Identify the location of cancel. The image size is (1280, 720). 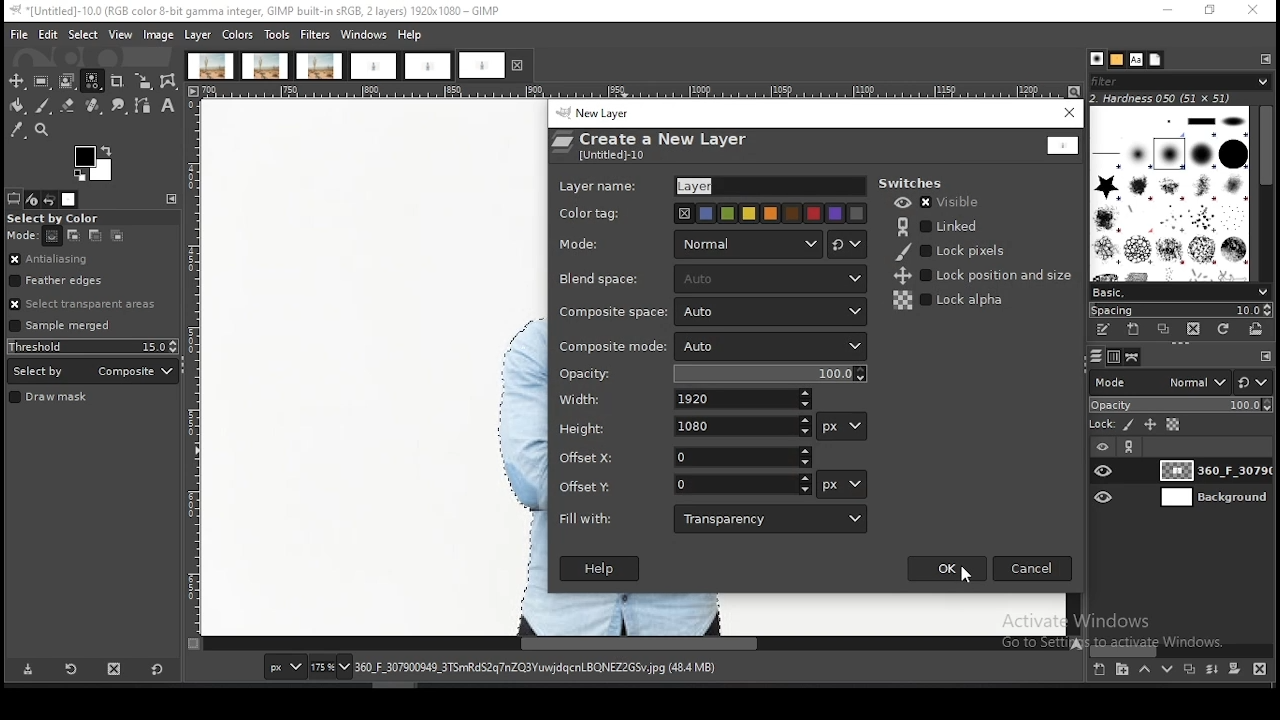
(1032, 567).